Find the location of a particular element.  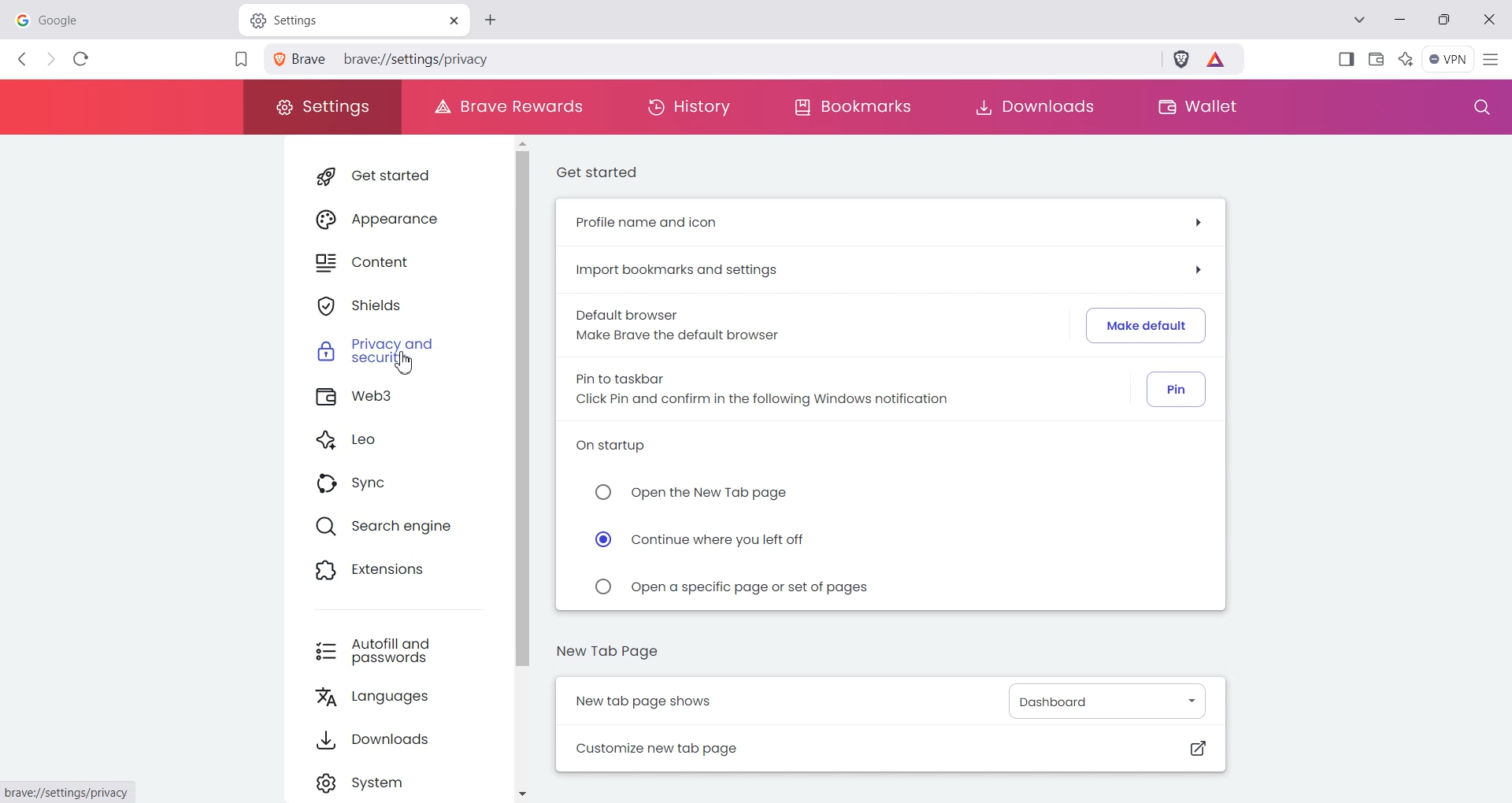

Shields is located at coordinates (390, 305).